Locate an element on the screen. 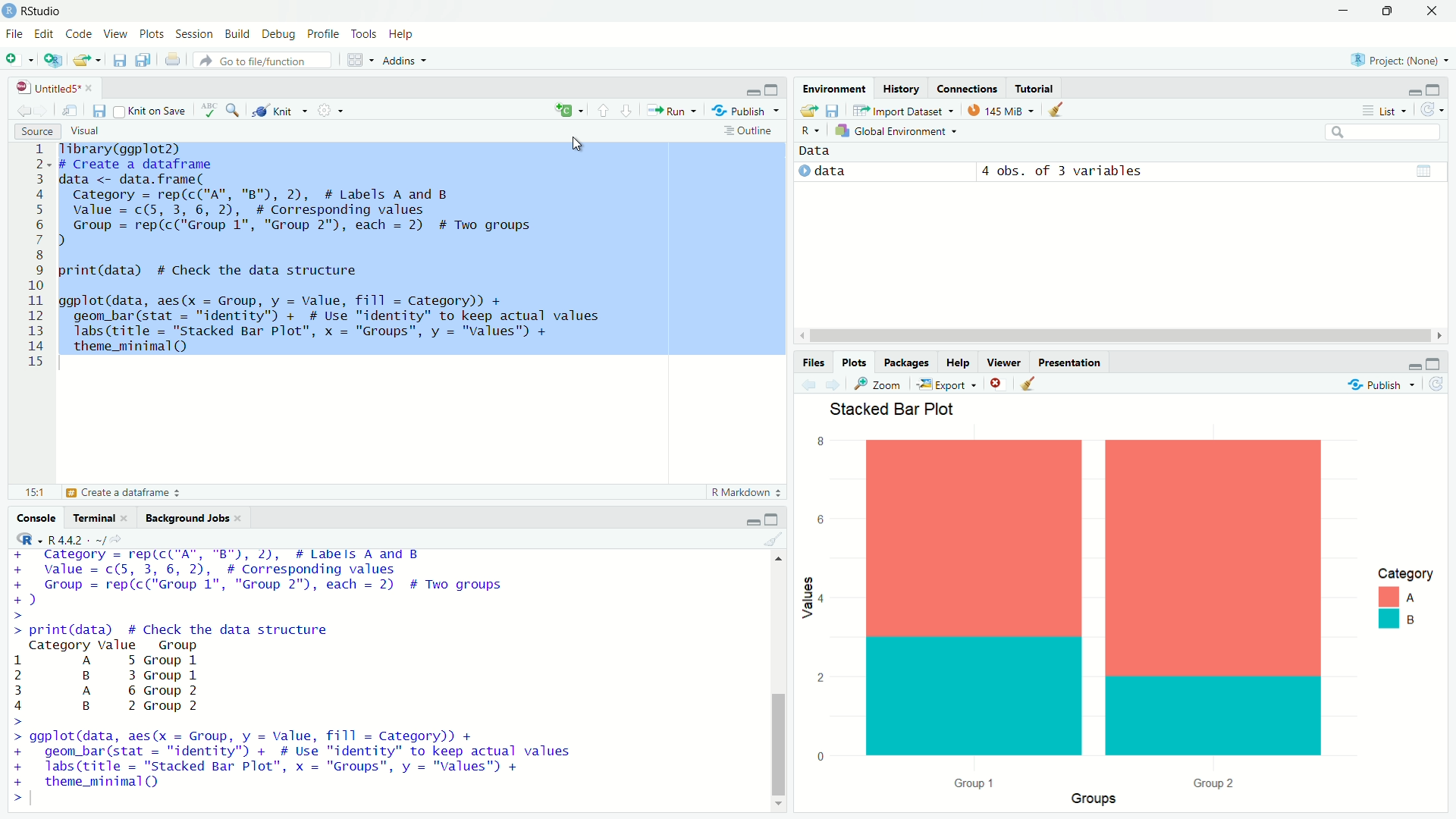  Background Jobs is located at coordinates (190, 517).